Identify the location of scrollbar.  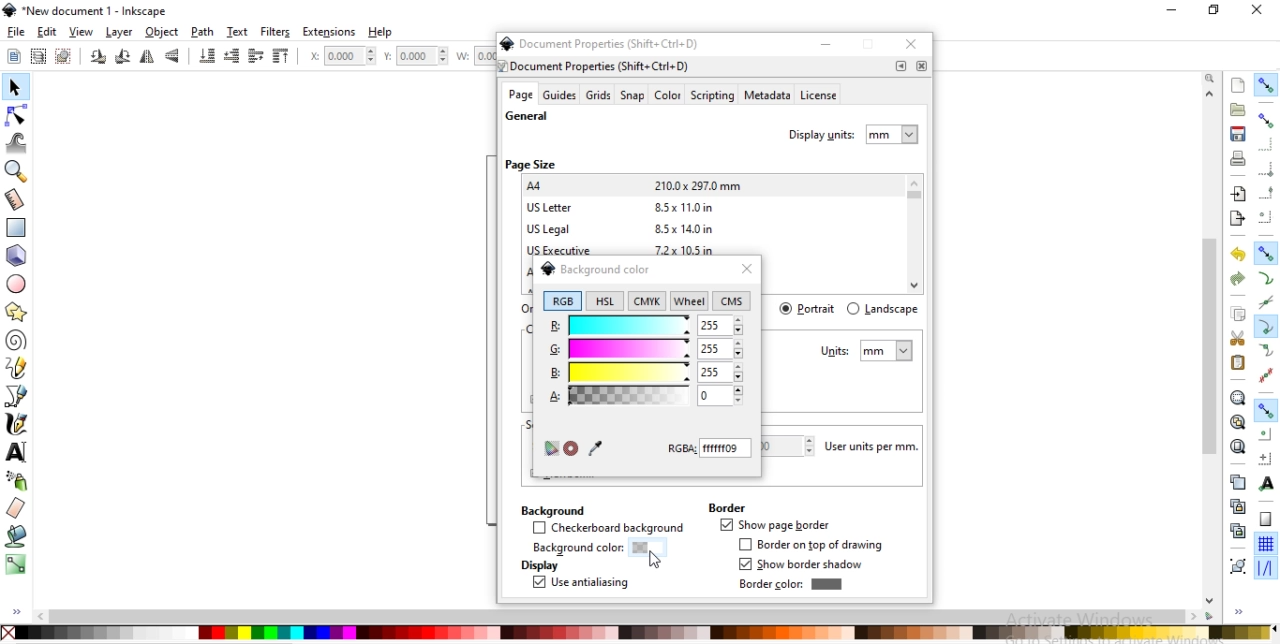
(1211, 398).